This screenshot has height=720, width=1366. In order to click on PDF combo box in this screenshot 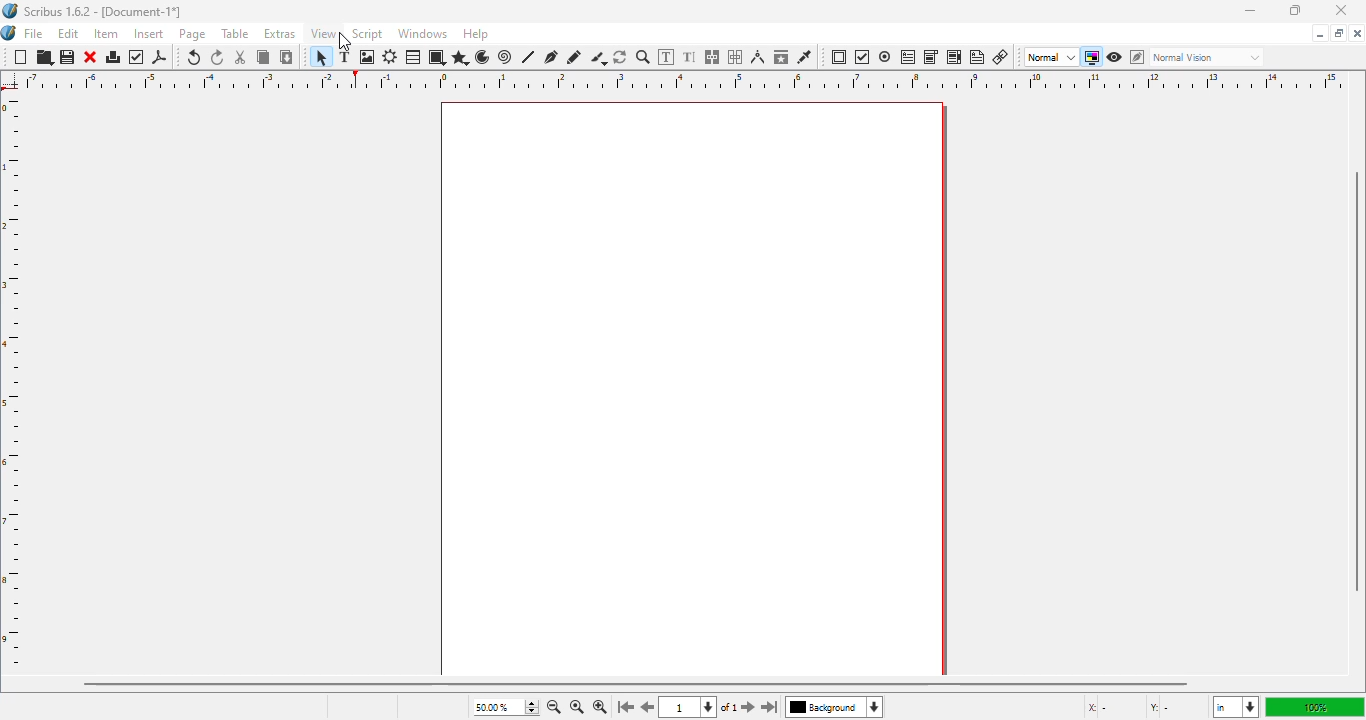, I will do `click(931, 57)`.